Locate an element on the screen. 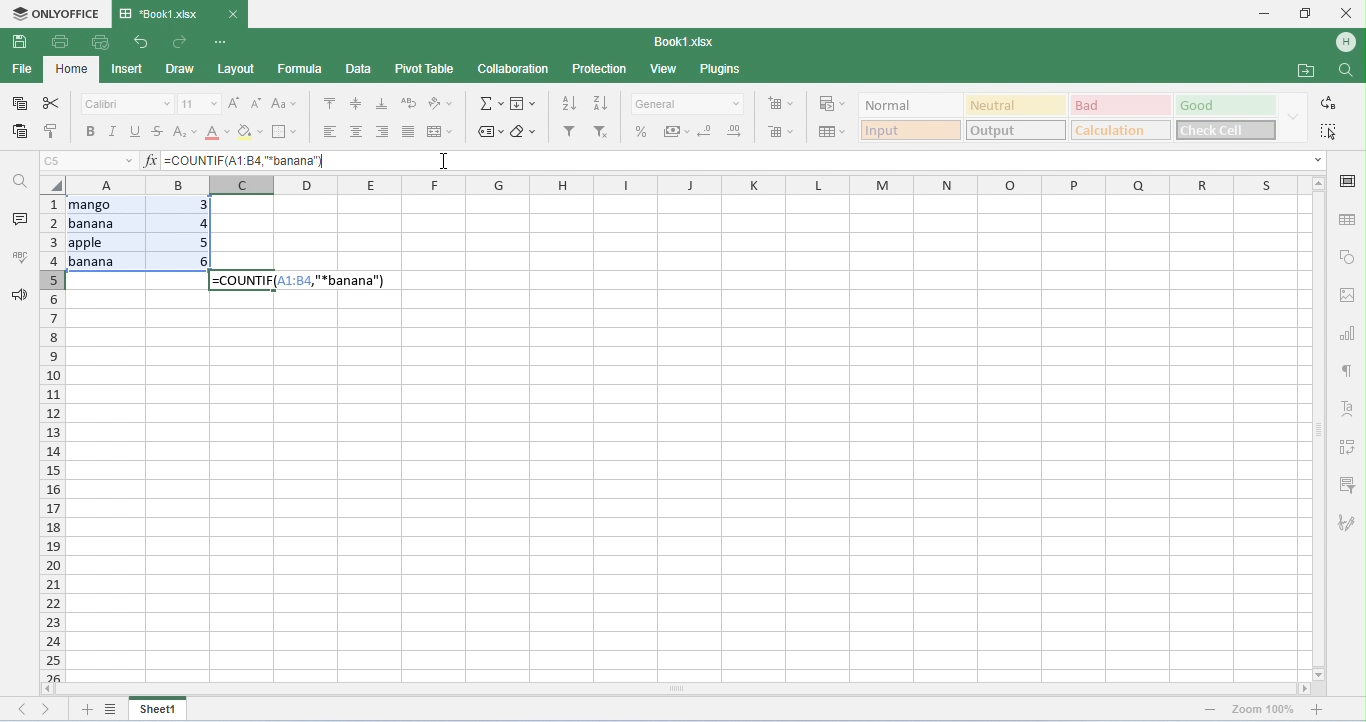  vertical scroll bar is located at coordinates (1318, 427).